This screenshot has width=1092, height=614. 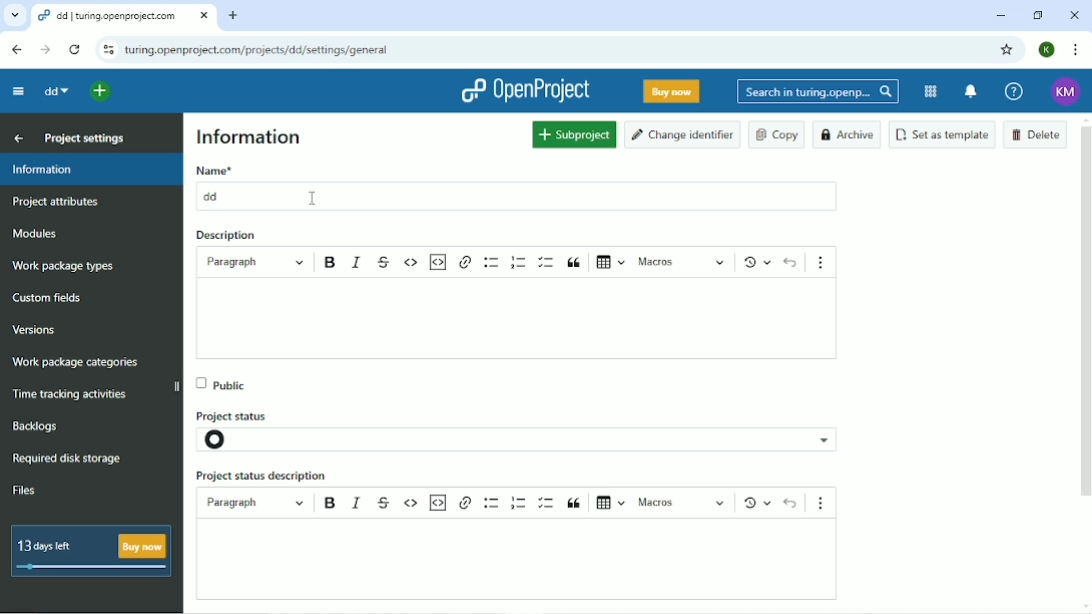 I want to click on K, so click(x=1047, y=50).